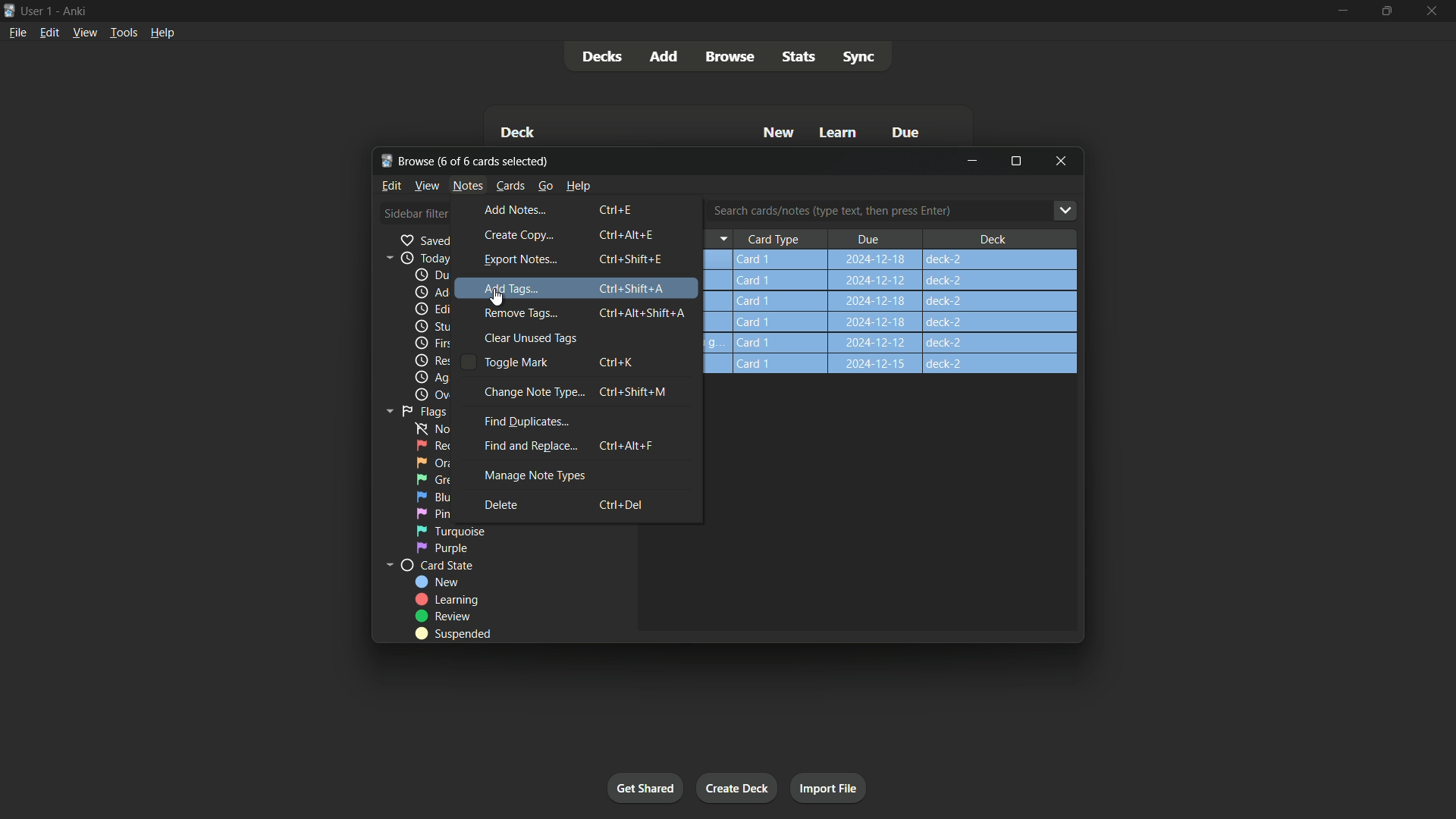 The height and width of the screenshot is (819, 1456). Describe the element at coordinates (428, 185) in the screenshot. I see `view` at that location.